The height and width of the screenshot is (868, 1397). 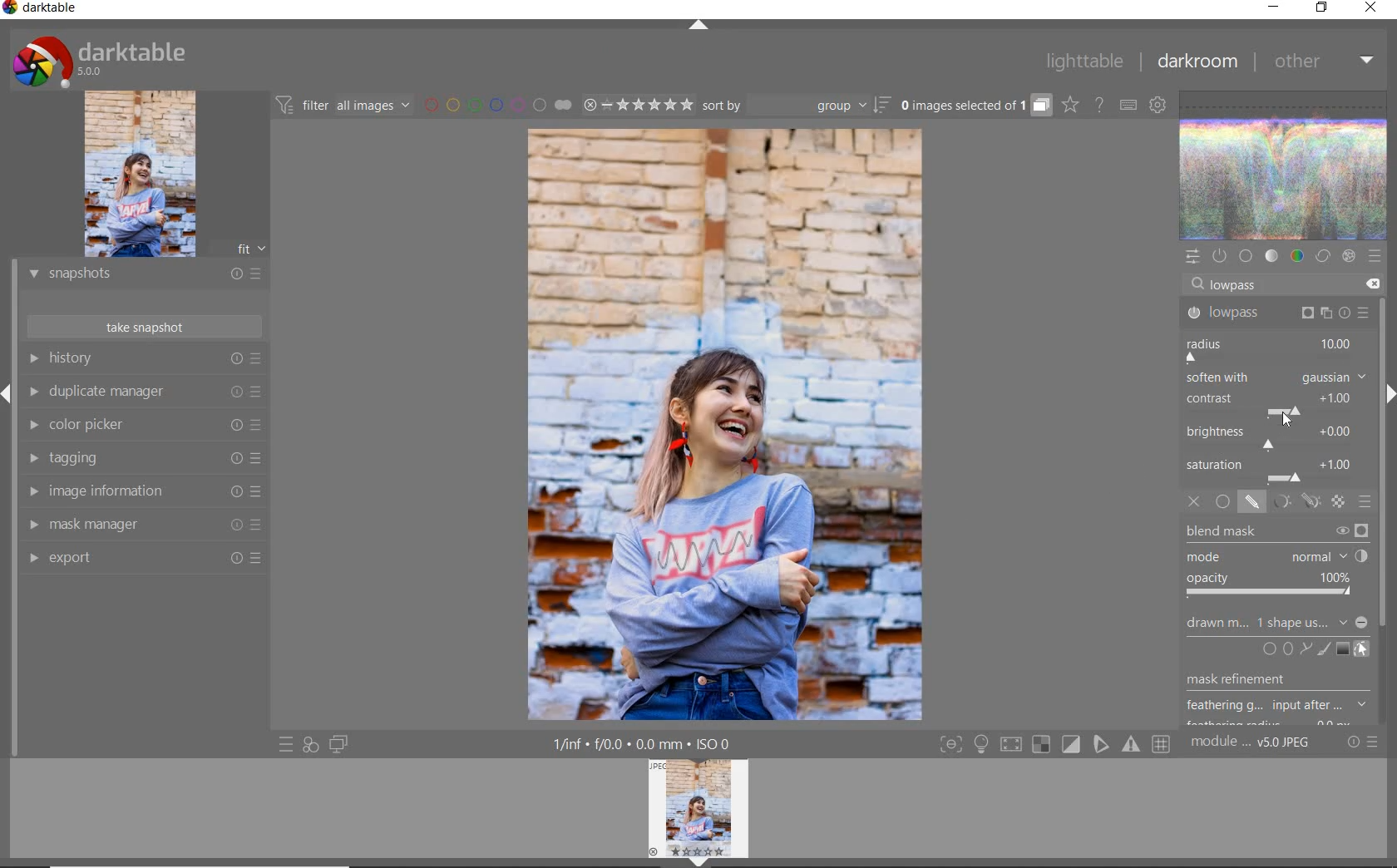 What do you see at coordinates (1266, 682) in the screenshot?
I see `musk refinement` at bounding box center [1266, 682].